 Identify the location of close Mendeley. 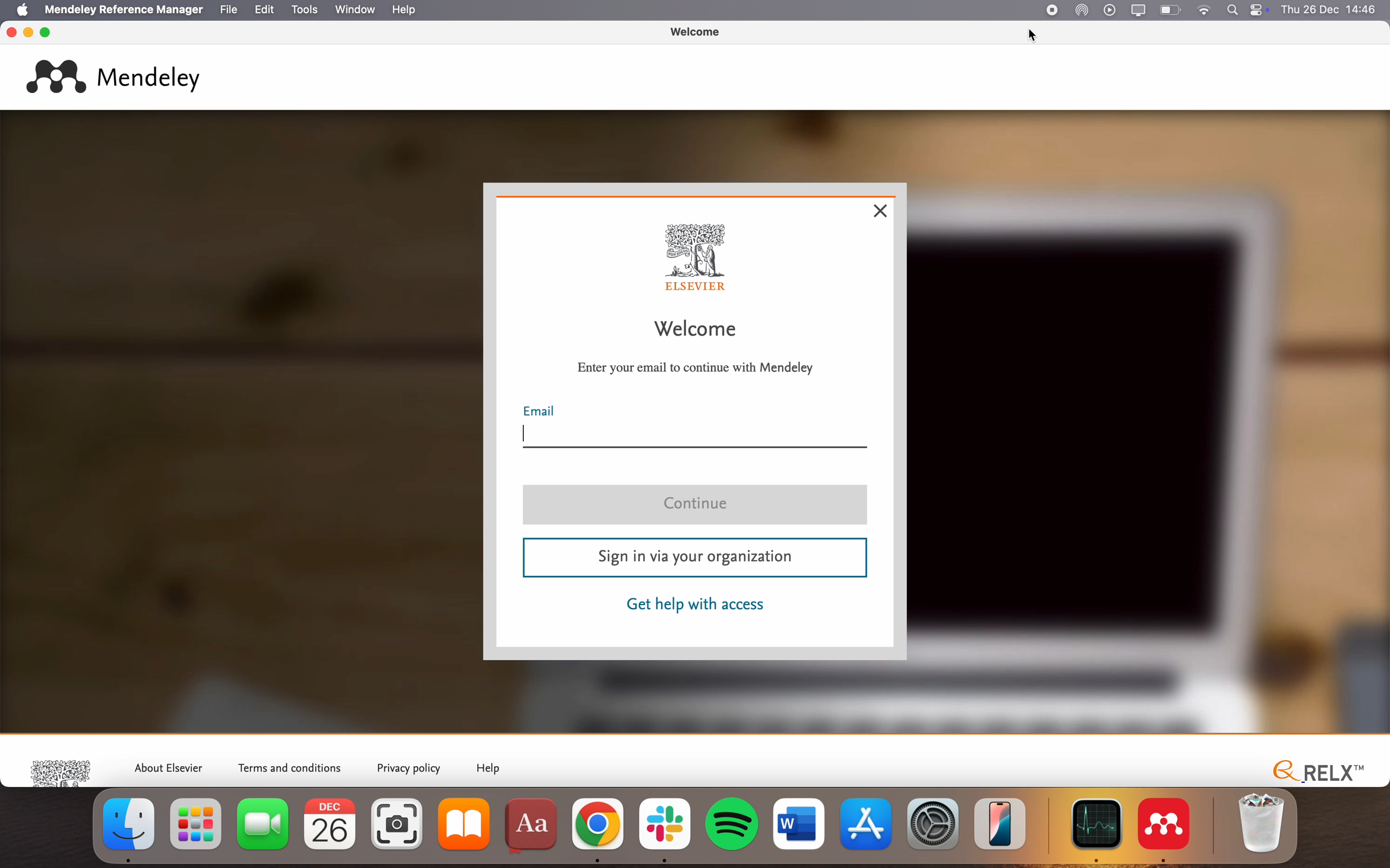
(10, 32).